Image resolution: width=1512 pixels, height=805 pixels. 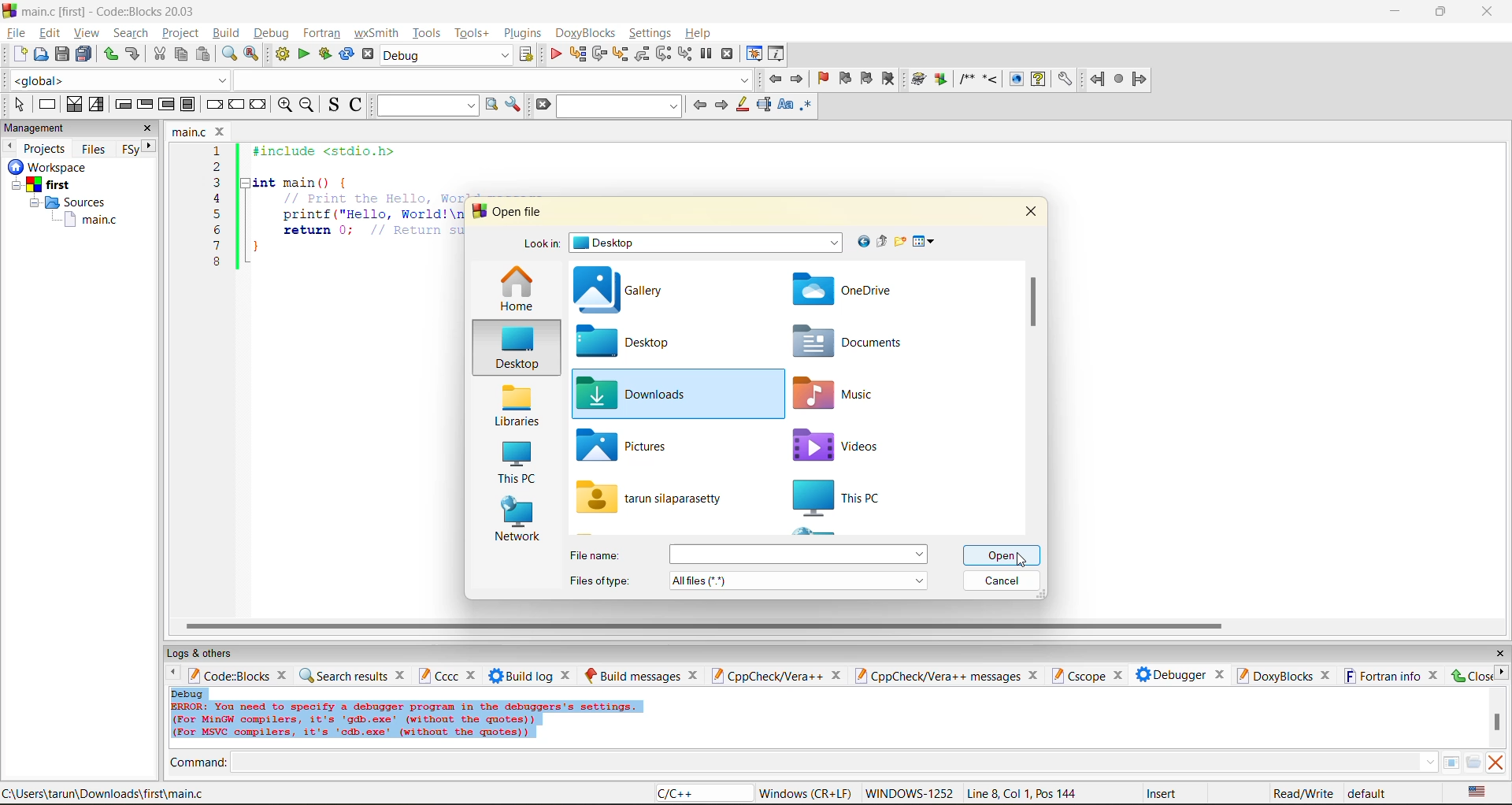 I want to click on next instruction, so click(x=663, y=54).